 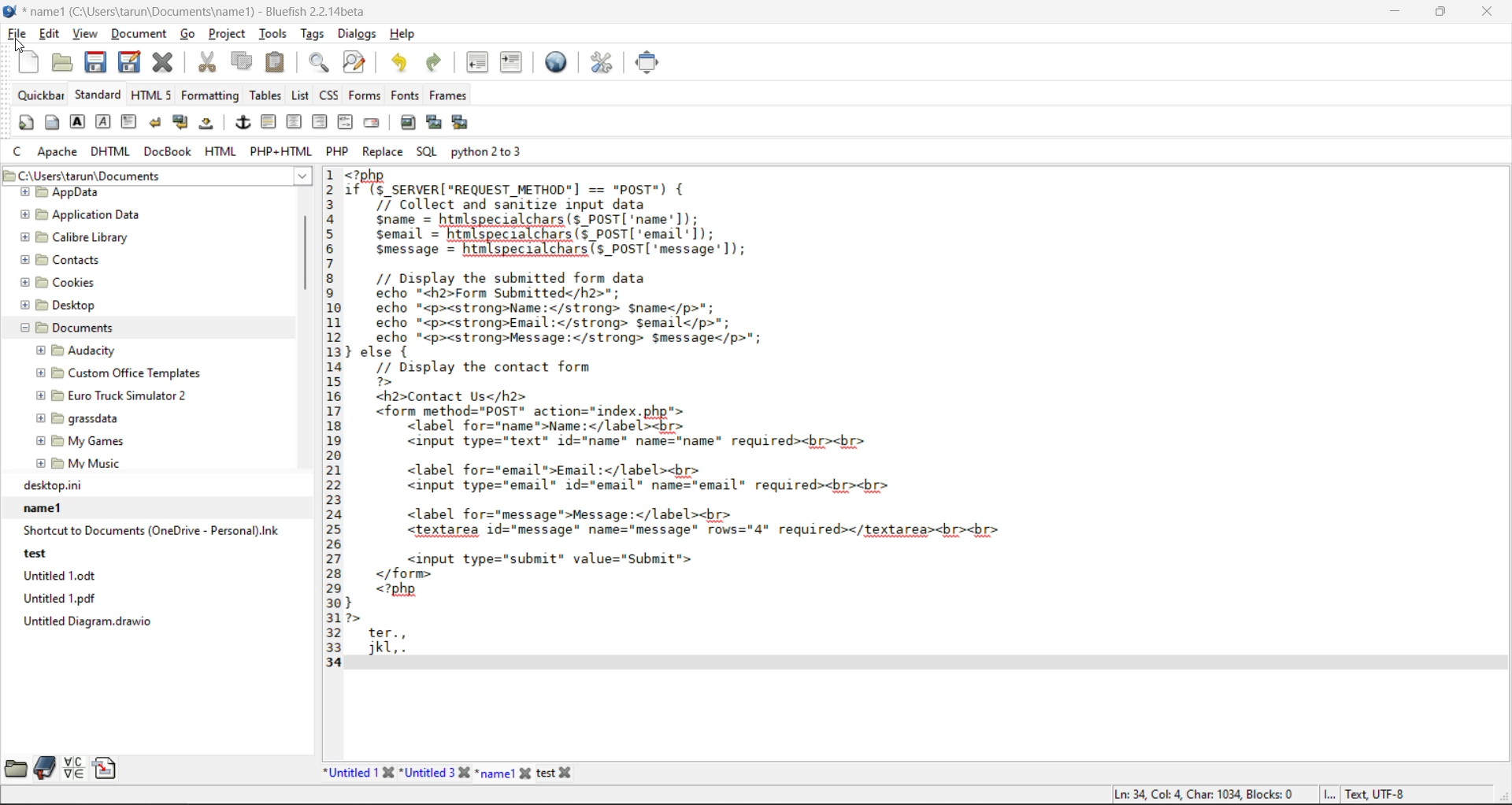 What do you see at coordinates (131, 121) in the screenshot?
I see `paragraph` at bounding box center [131, 121].